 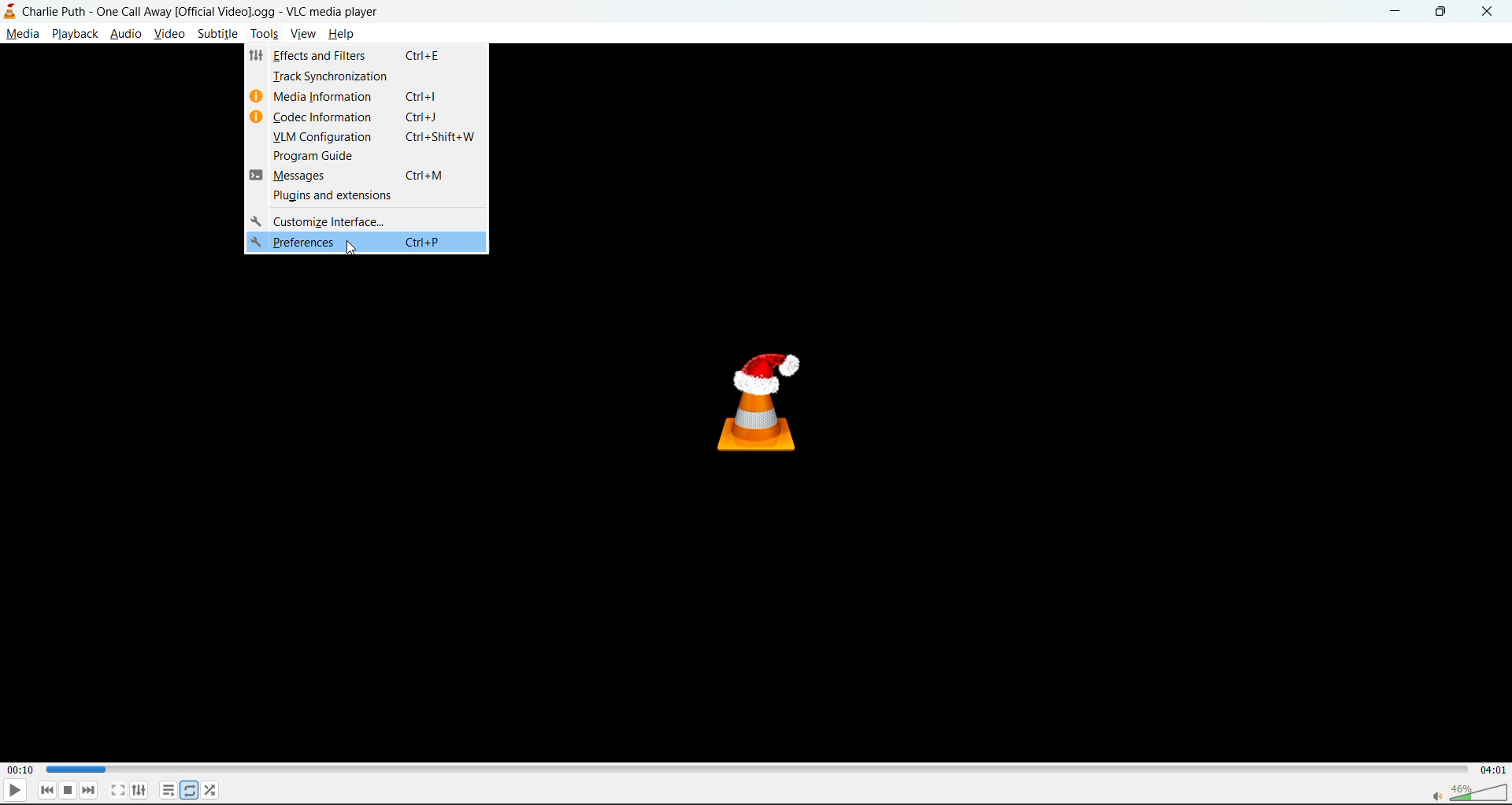 I want to click on loop, so click(x=190, y=791).